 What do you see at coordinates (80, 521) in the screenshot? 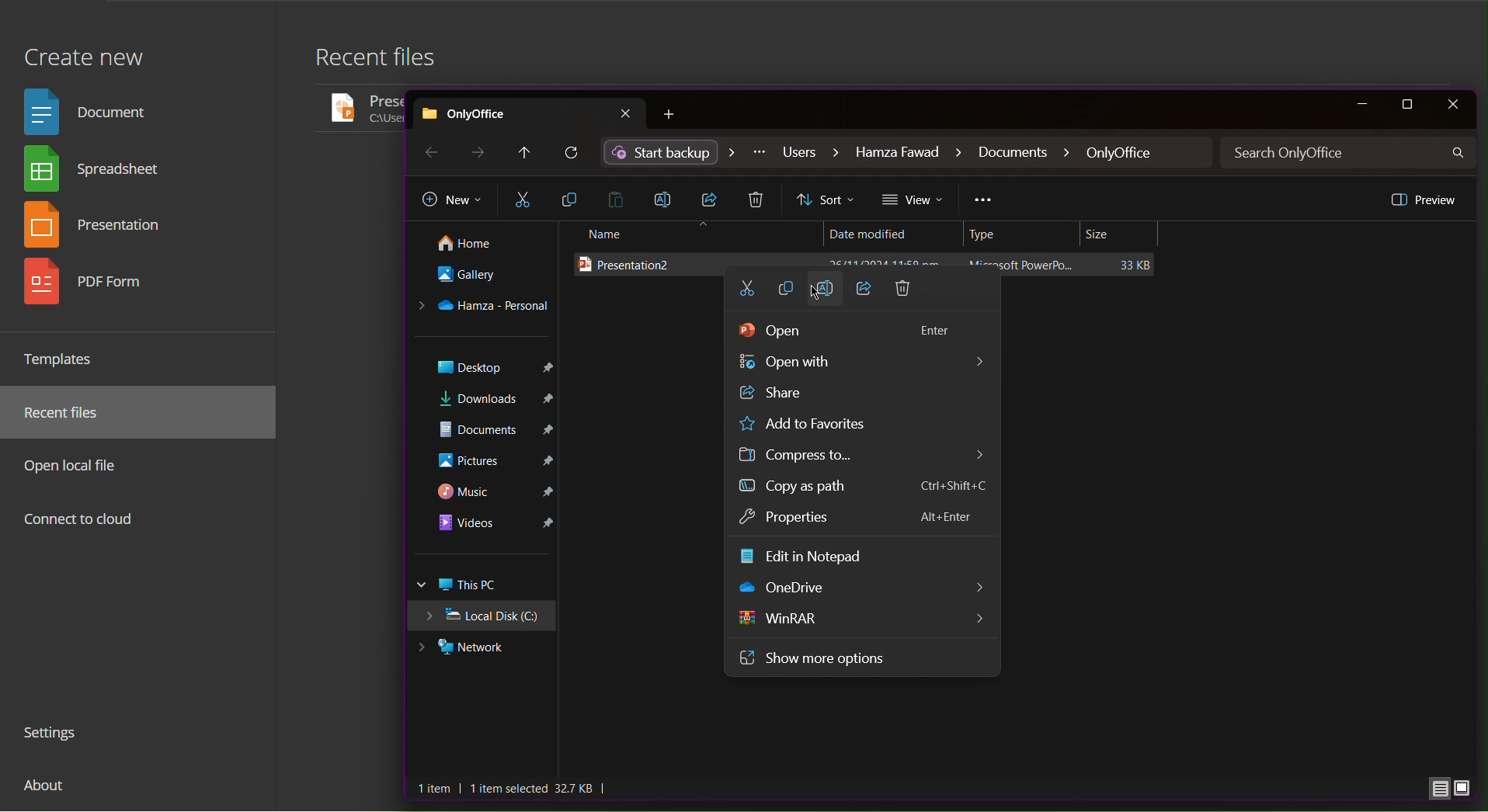
I see `Connect to Cloud` at bounding box center [80, 521].